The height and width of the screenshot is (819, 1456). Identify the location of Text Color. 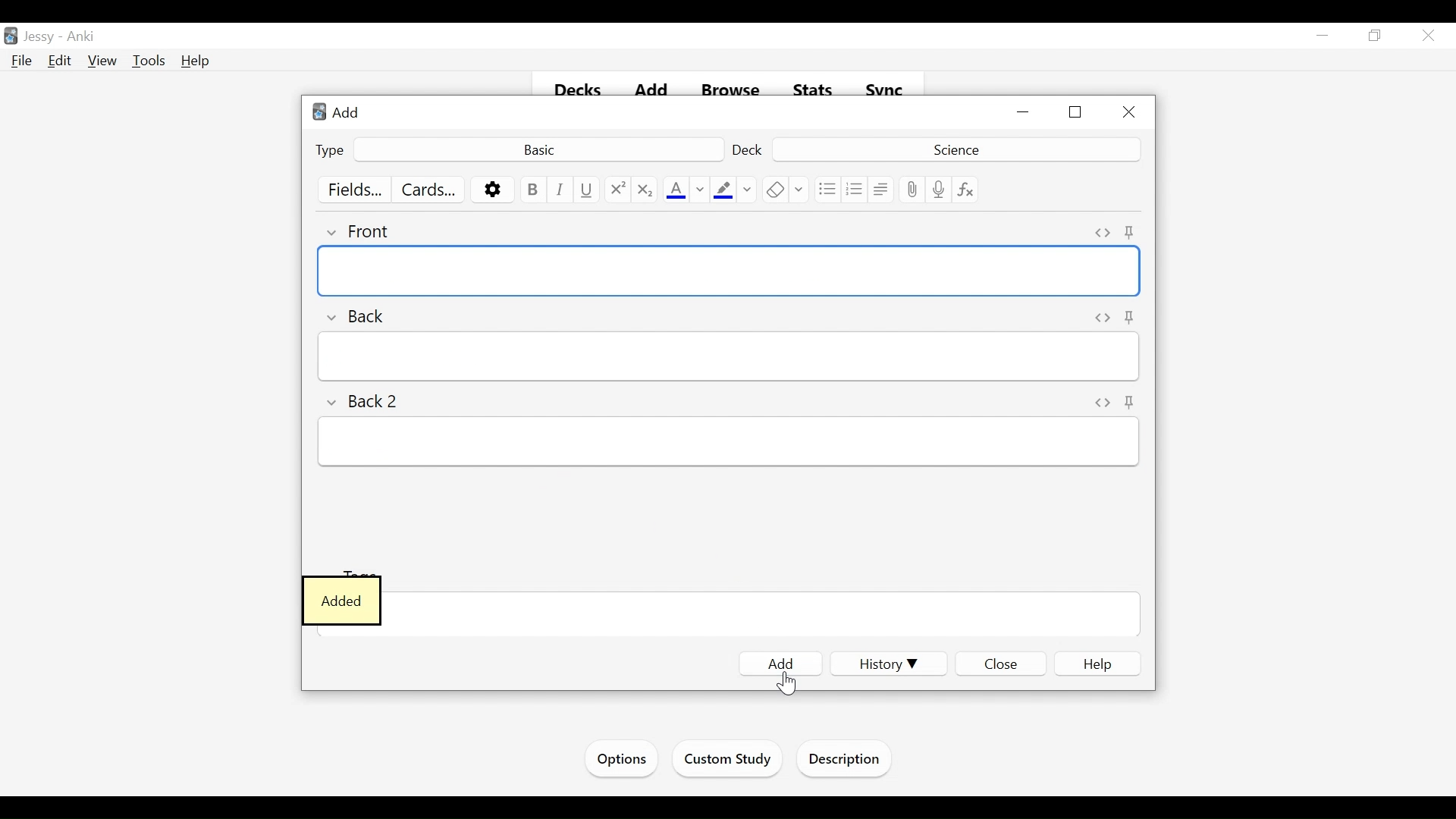
(676, 190).